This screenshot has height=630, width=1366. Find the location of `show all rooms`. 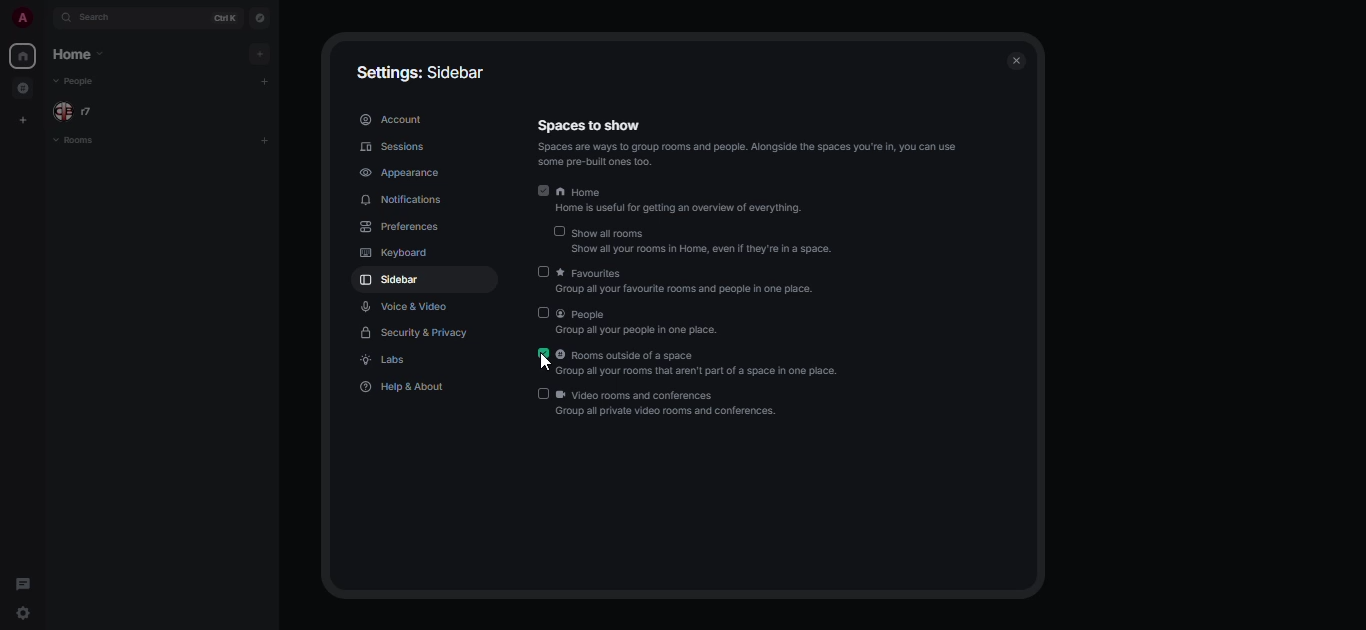

show all rooms is located at coordinates (705, 241).